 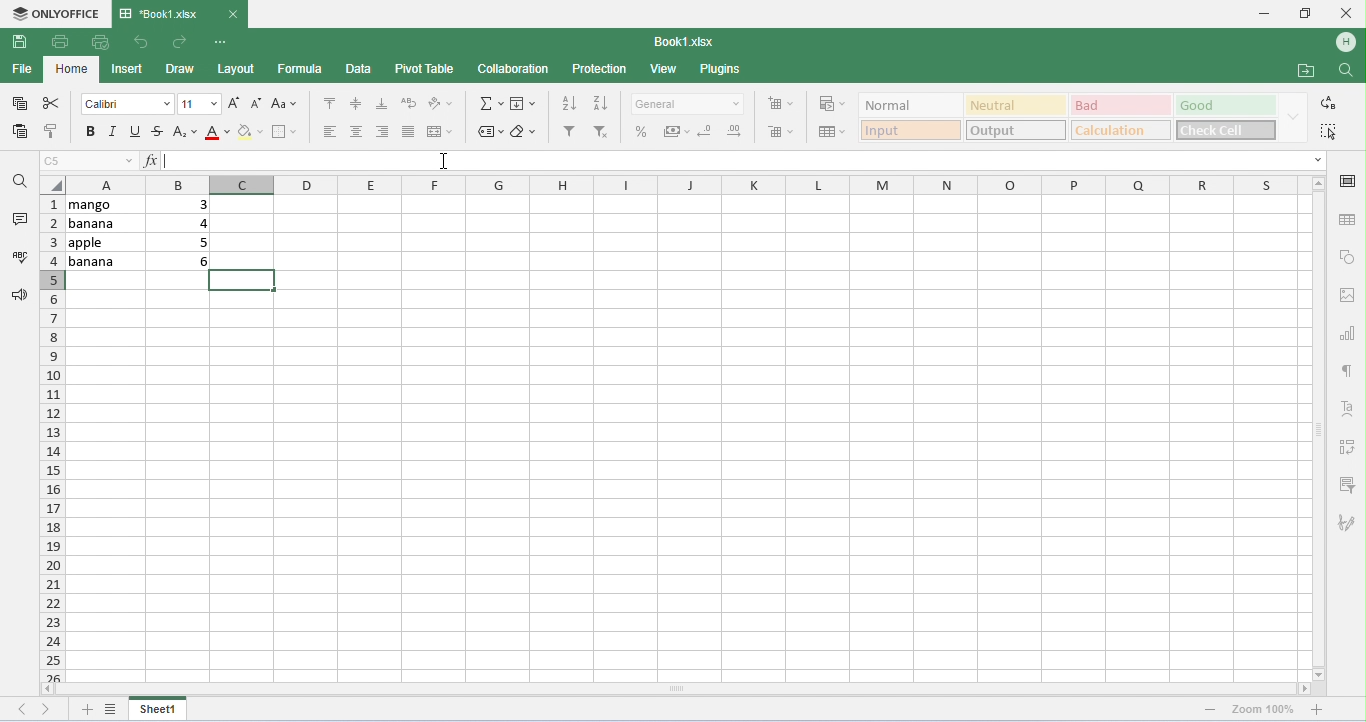 What do you see at coordinates (722, 70) in the screenshot?
I see `plugins` at bounding box center [722, 70].